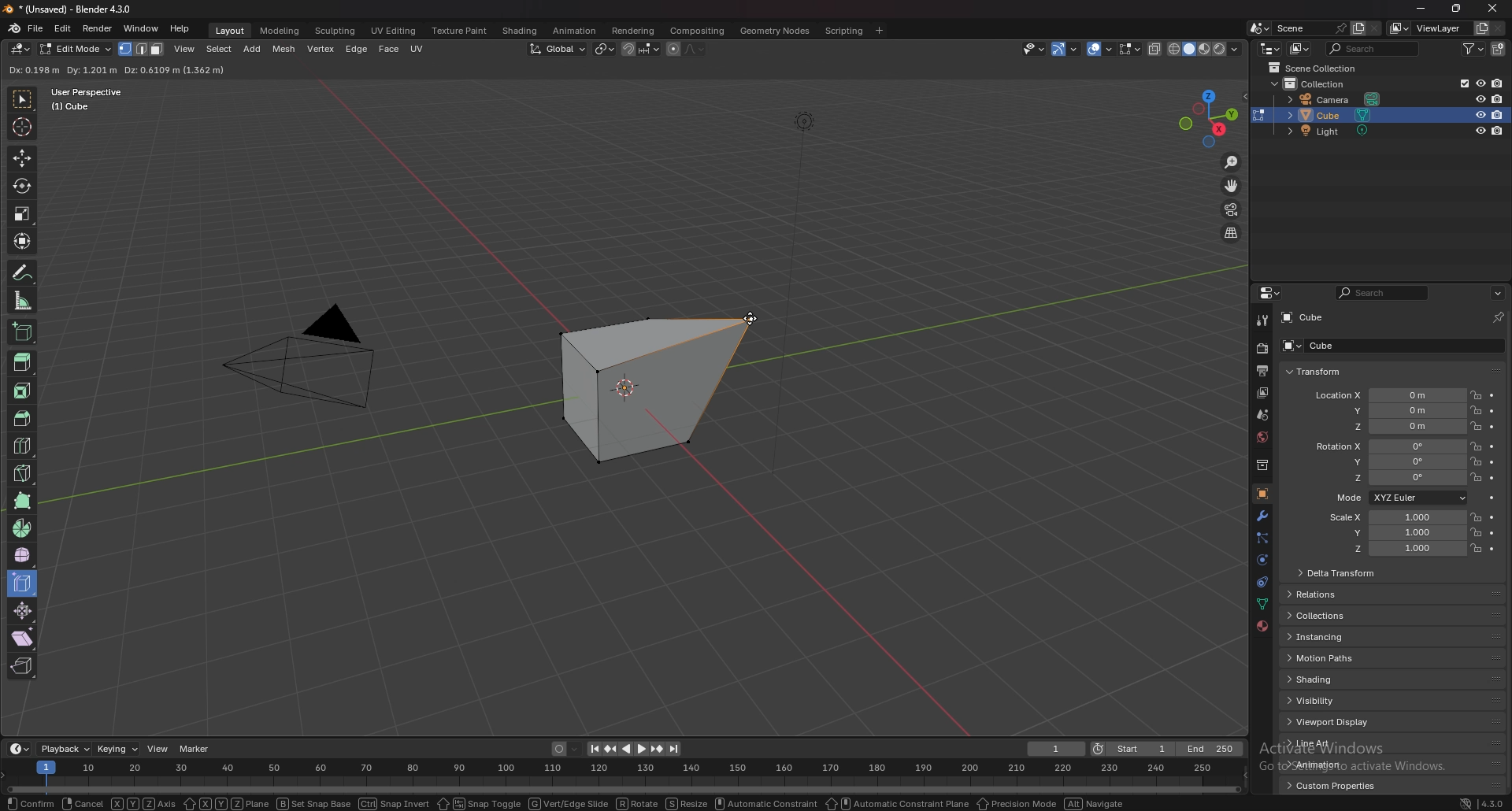 Image resolution: width=1512 pixels, height=811 pixels. Describe the element at coordinates (1421, 9) in the screenshot. I see `minimize` at that location.